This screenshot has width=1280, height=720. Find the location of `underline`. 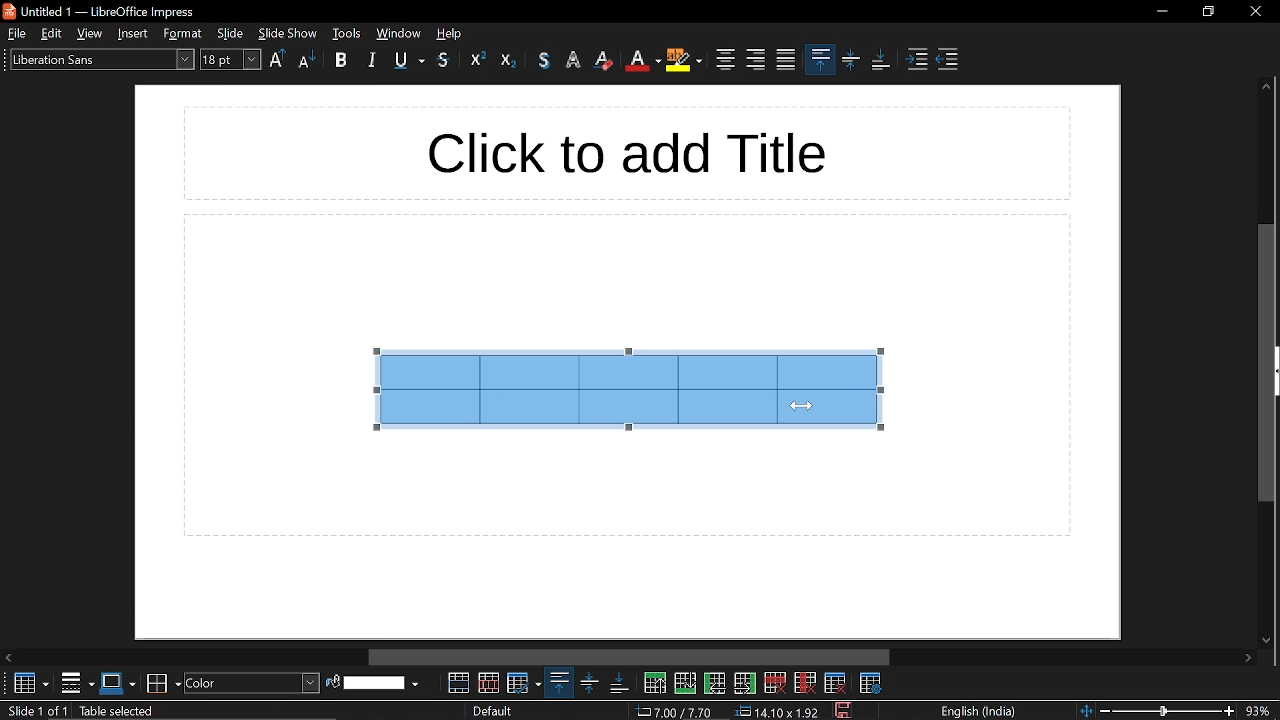

underline is located at coordinates (409, 61).